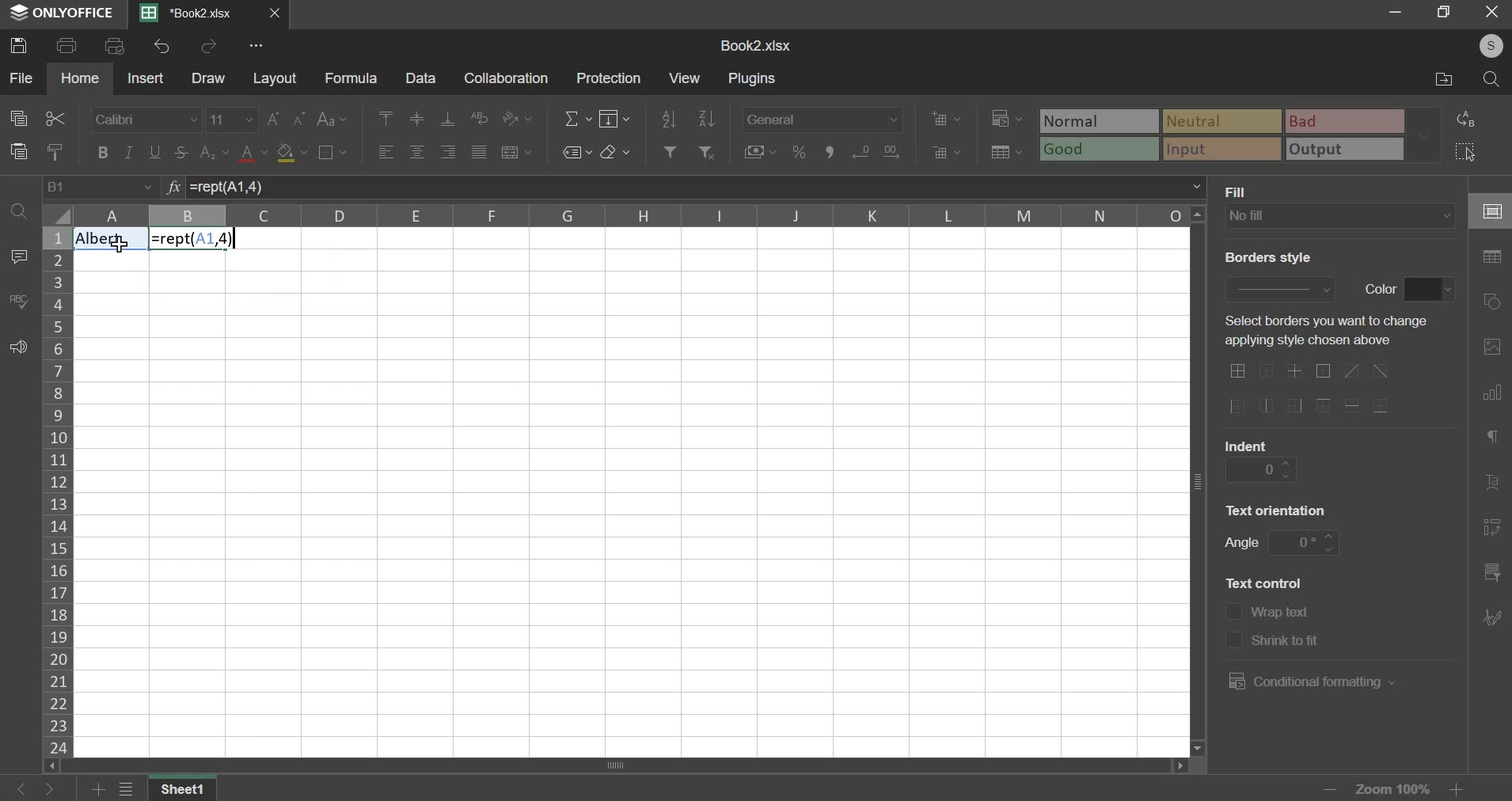 Image resolution: width=1512 pixels, height=801 pixels. What do you see at coordinates (1285, 613) in the screenshot?
I see `text` at bounding box center [1285, 613].